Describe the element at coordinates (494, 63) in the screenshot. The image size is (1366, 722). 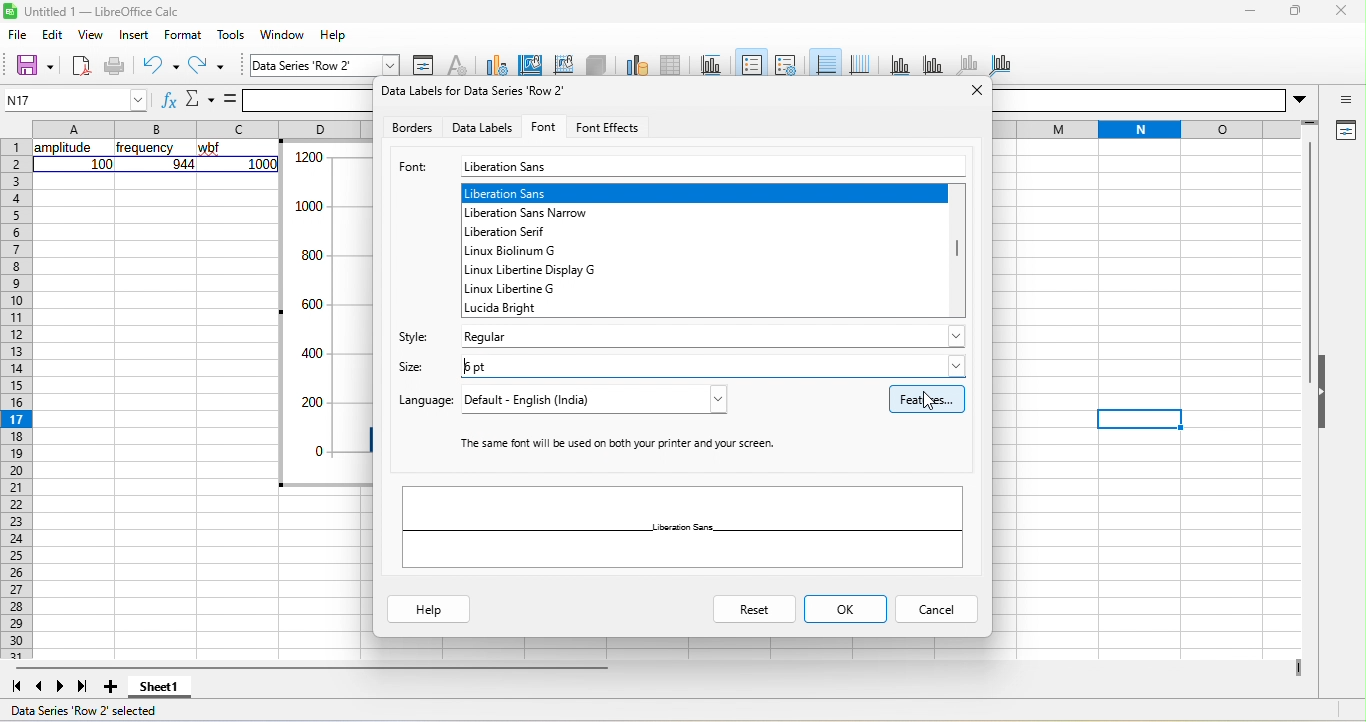
I see `chart type` at that location.